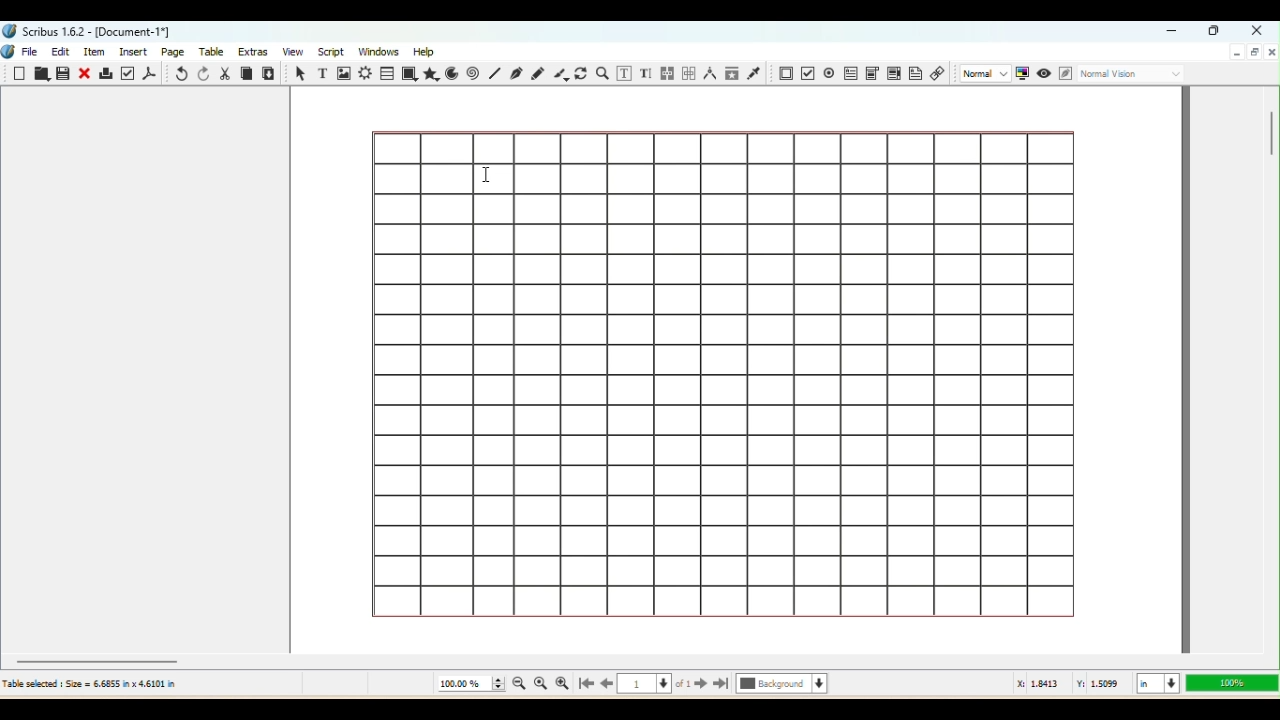  I want to click on Windows, so click(380, 50).